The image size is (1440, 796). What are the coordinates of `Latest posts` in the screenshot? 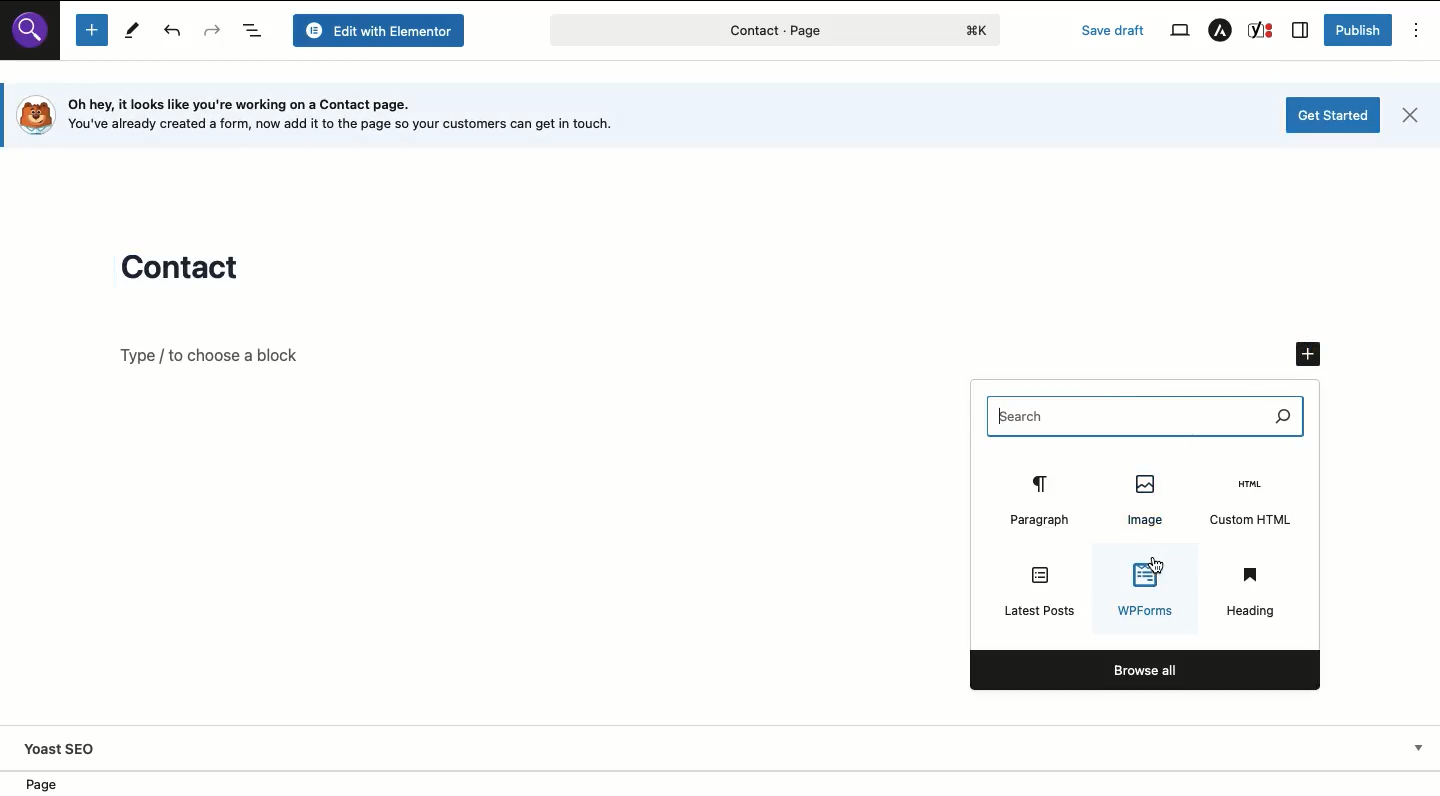 It's located at (1034, 588).